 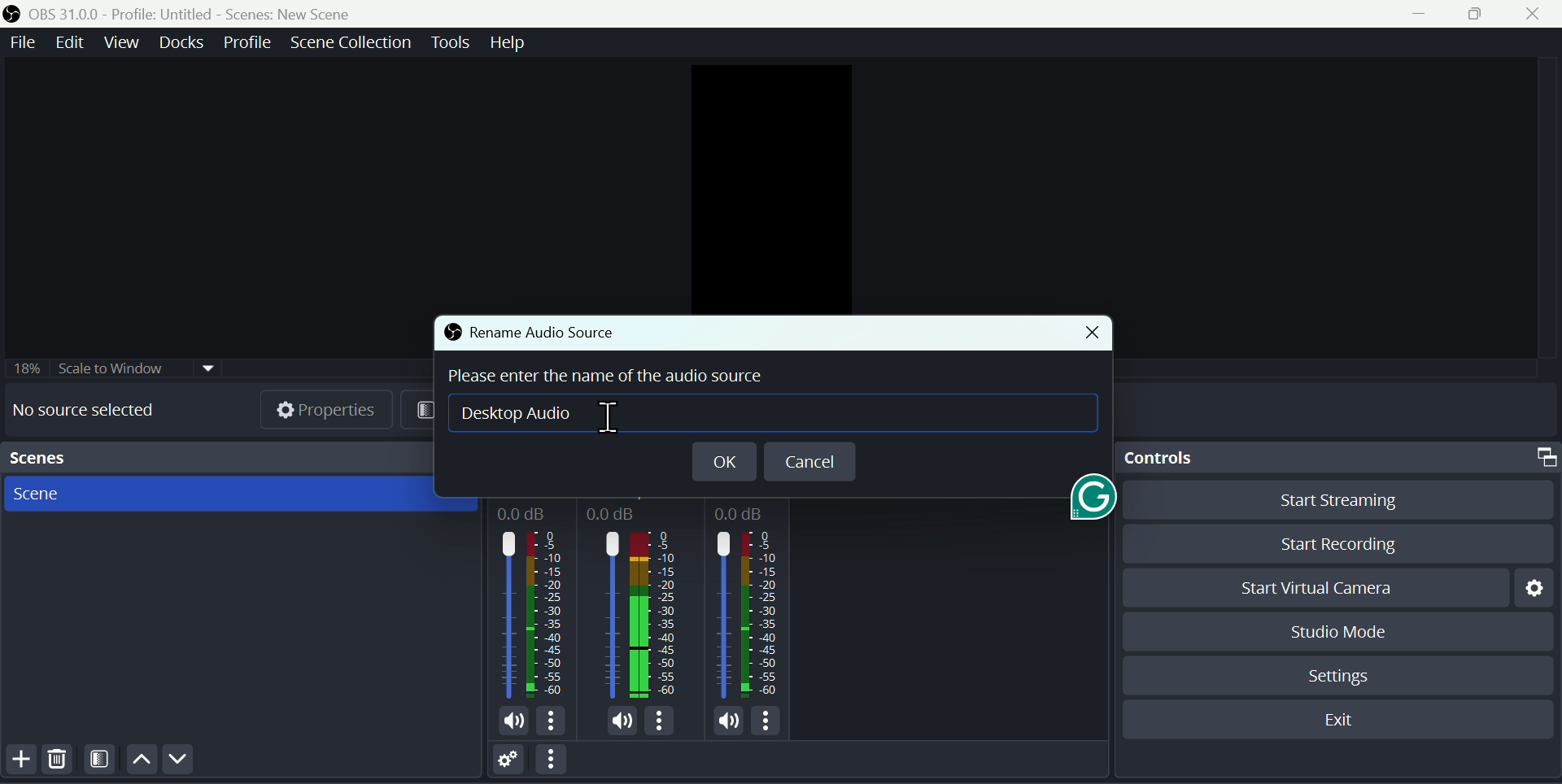 I want to click on Please enter the name of the audio source, so click(x=618, y=378).